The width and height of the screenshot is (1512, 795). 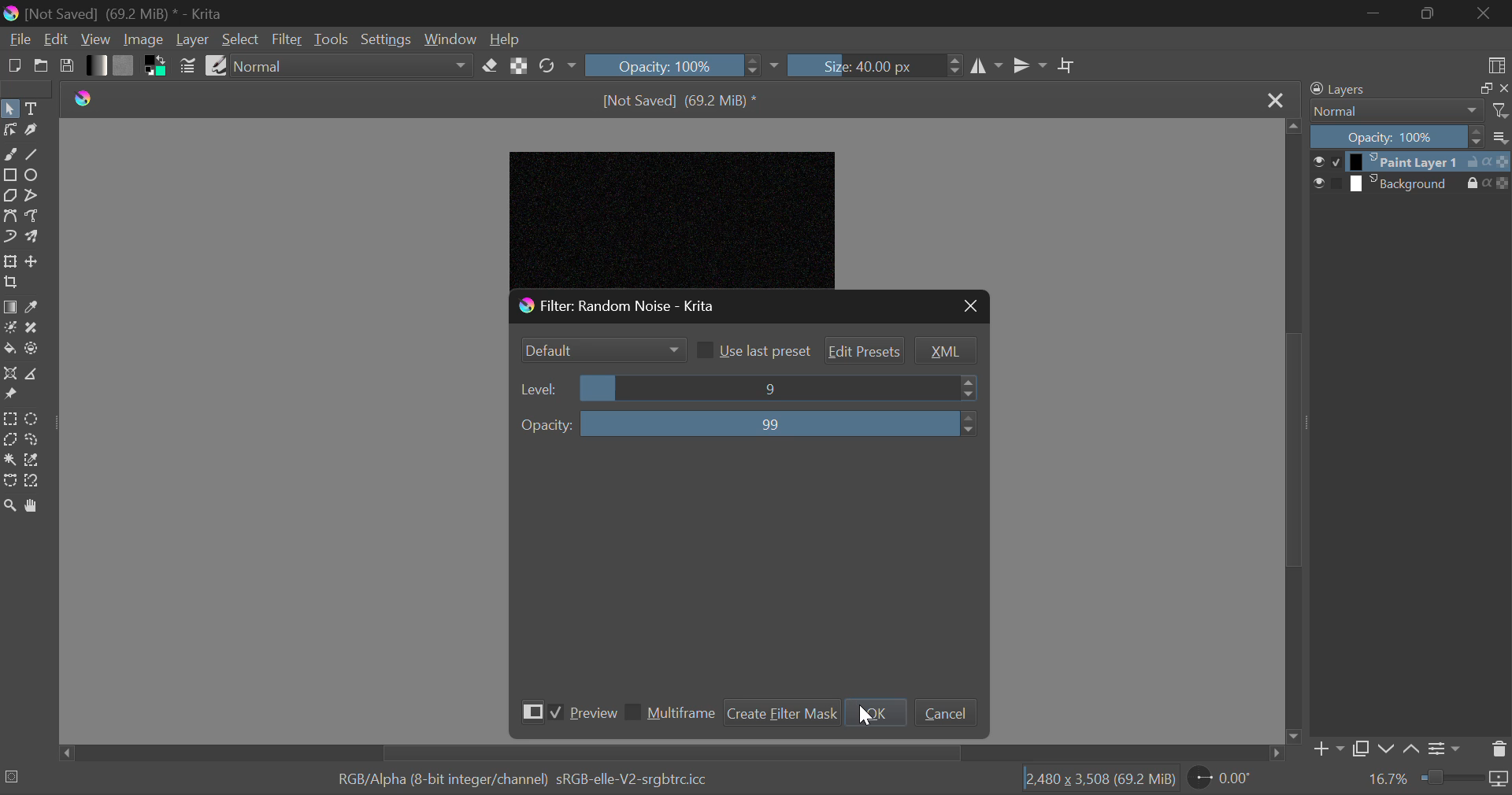 What do you see at coordinates (35, 419) in the screenshot?
I see `Circular Selection` at bounding box center [35, 419].